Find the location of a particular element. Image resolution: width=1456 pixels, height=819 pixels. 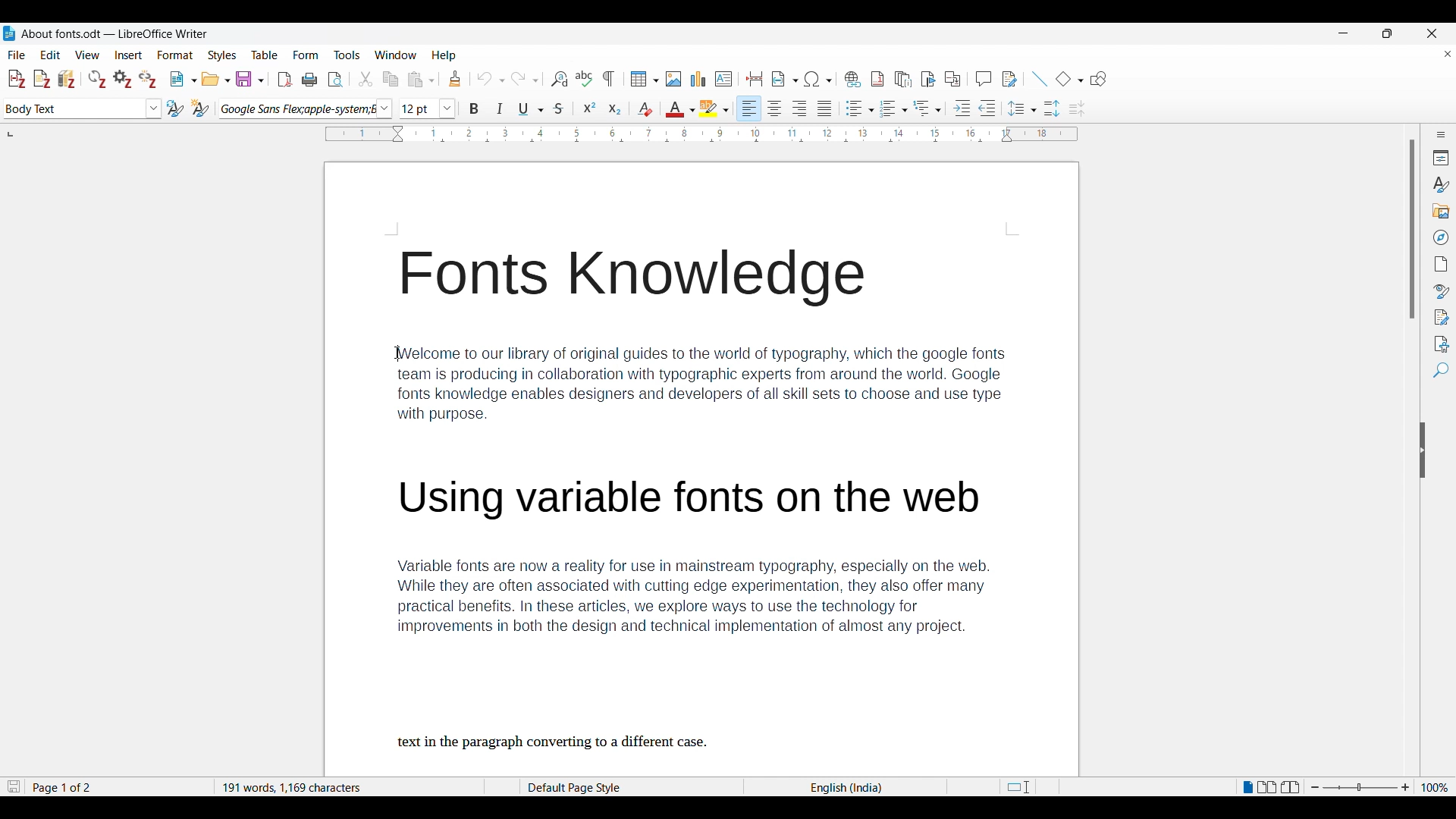

Insert menu is located at coordinates (129, 55).